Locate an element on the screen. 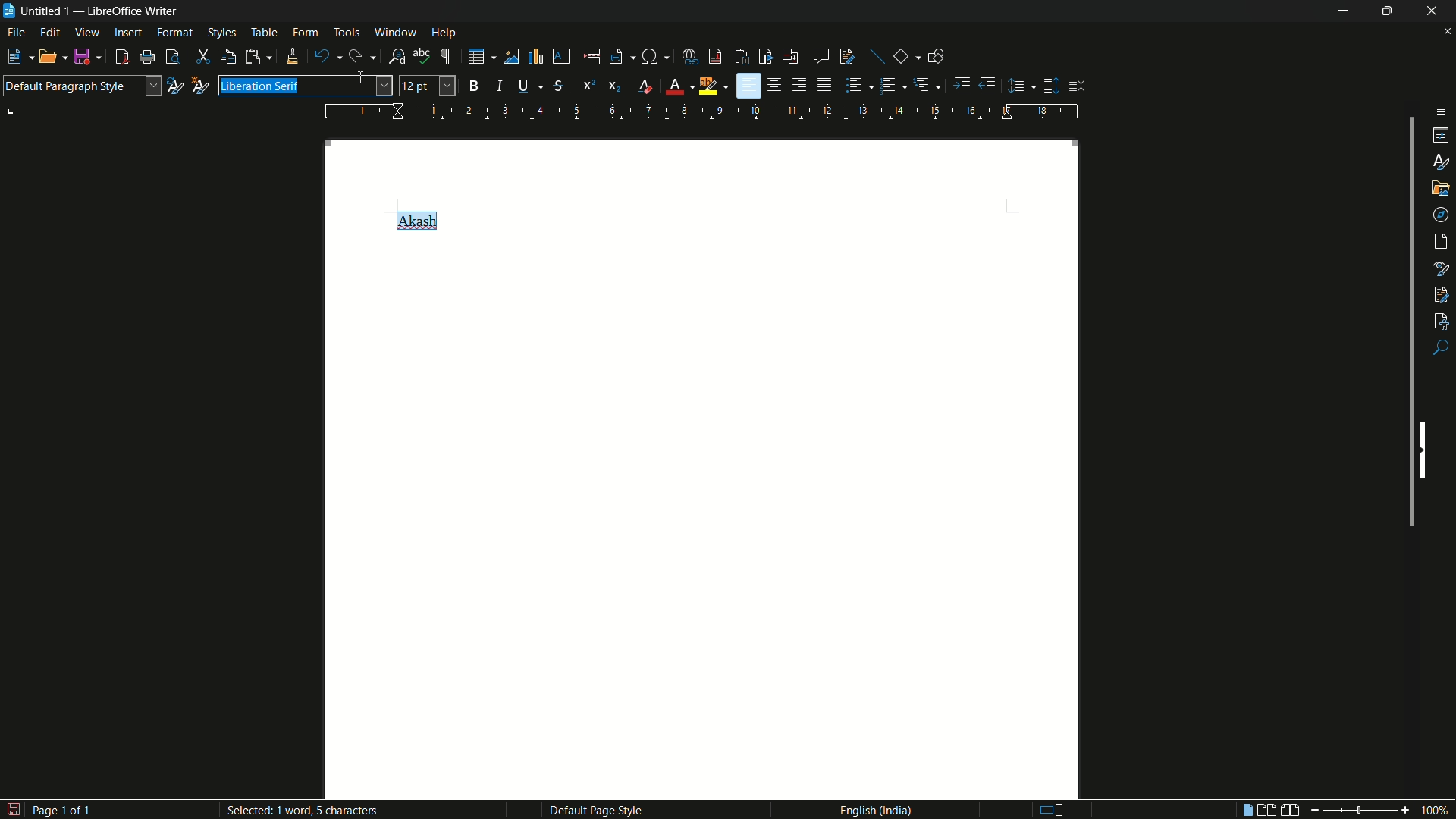 This screenshot has width=1456, height=819. properties is located at coordinates (1442, 136).